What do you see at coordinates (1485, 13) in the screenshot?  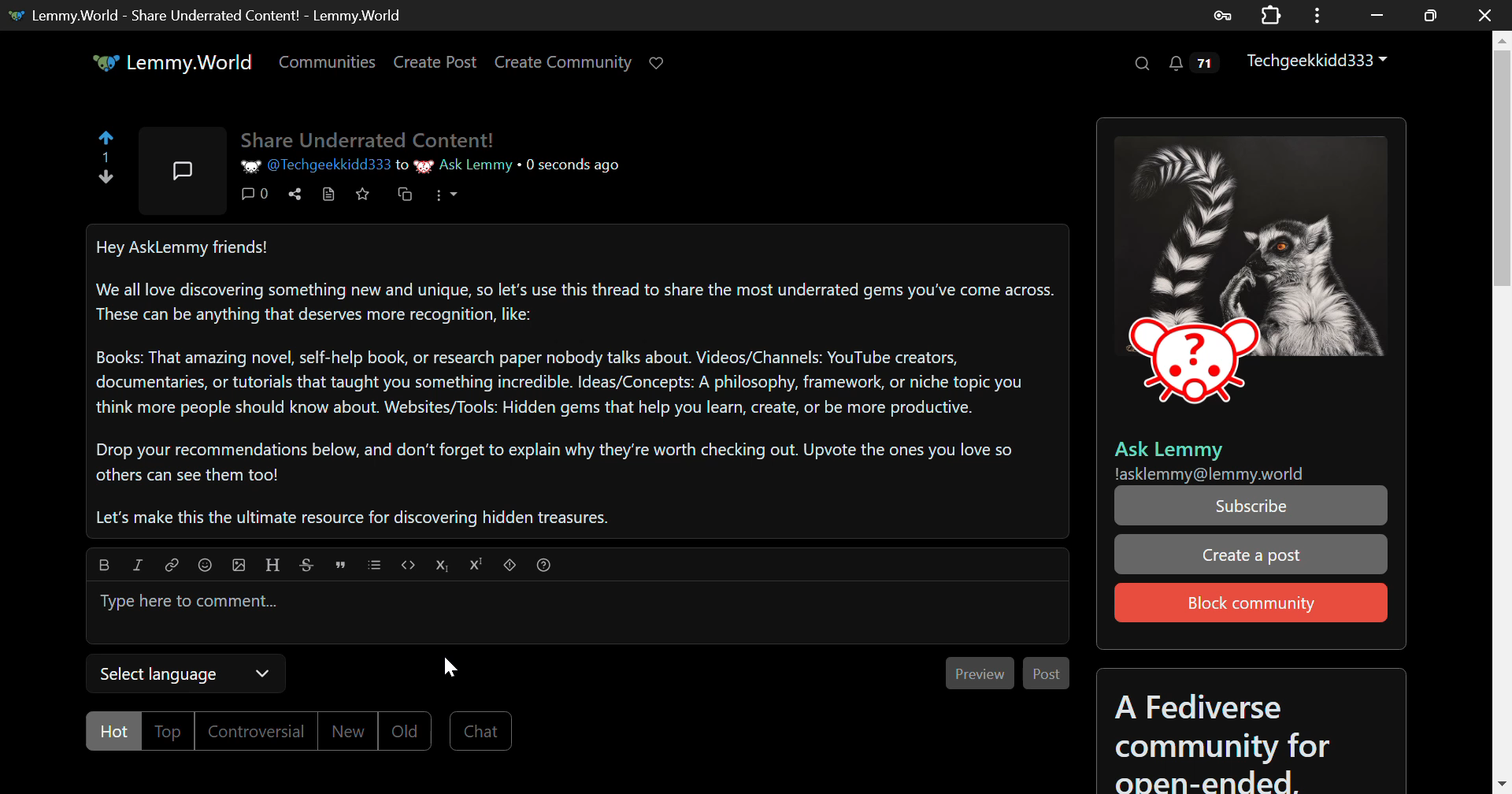 I see `Close Window` at bounding box center [1485, 13].